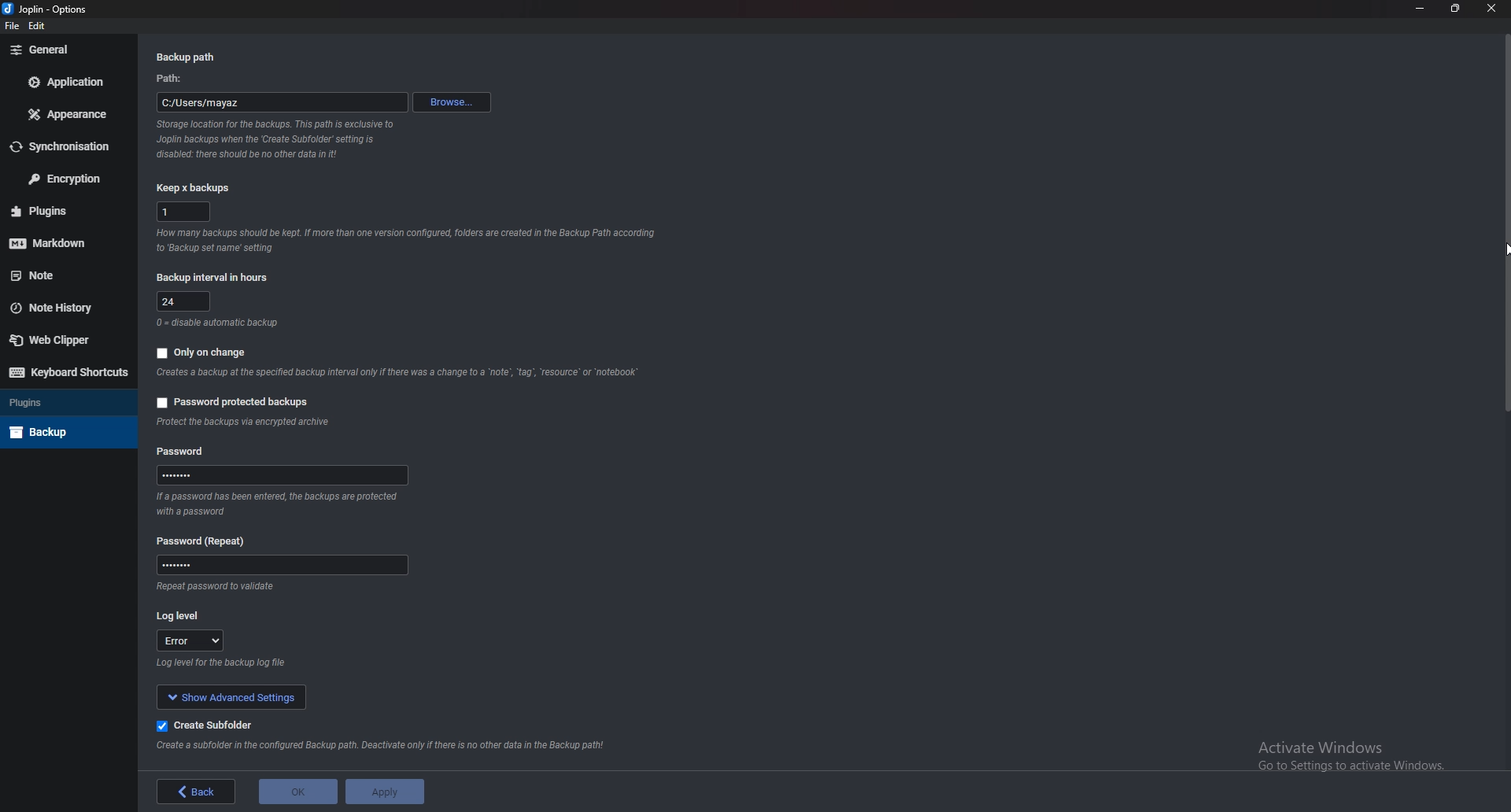 The image size is (1511, 812). What do you see at coordinates (12, 26) in the screenshot?
I see `file` at bounding box center [12, 26].